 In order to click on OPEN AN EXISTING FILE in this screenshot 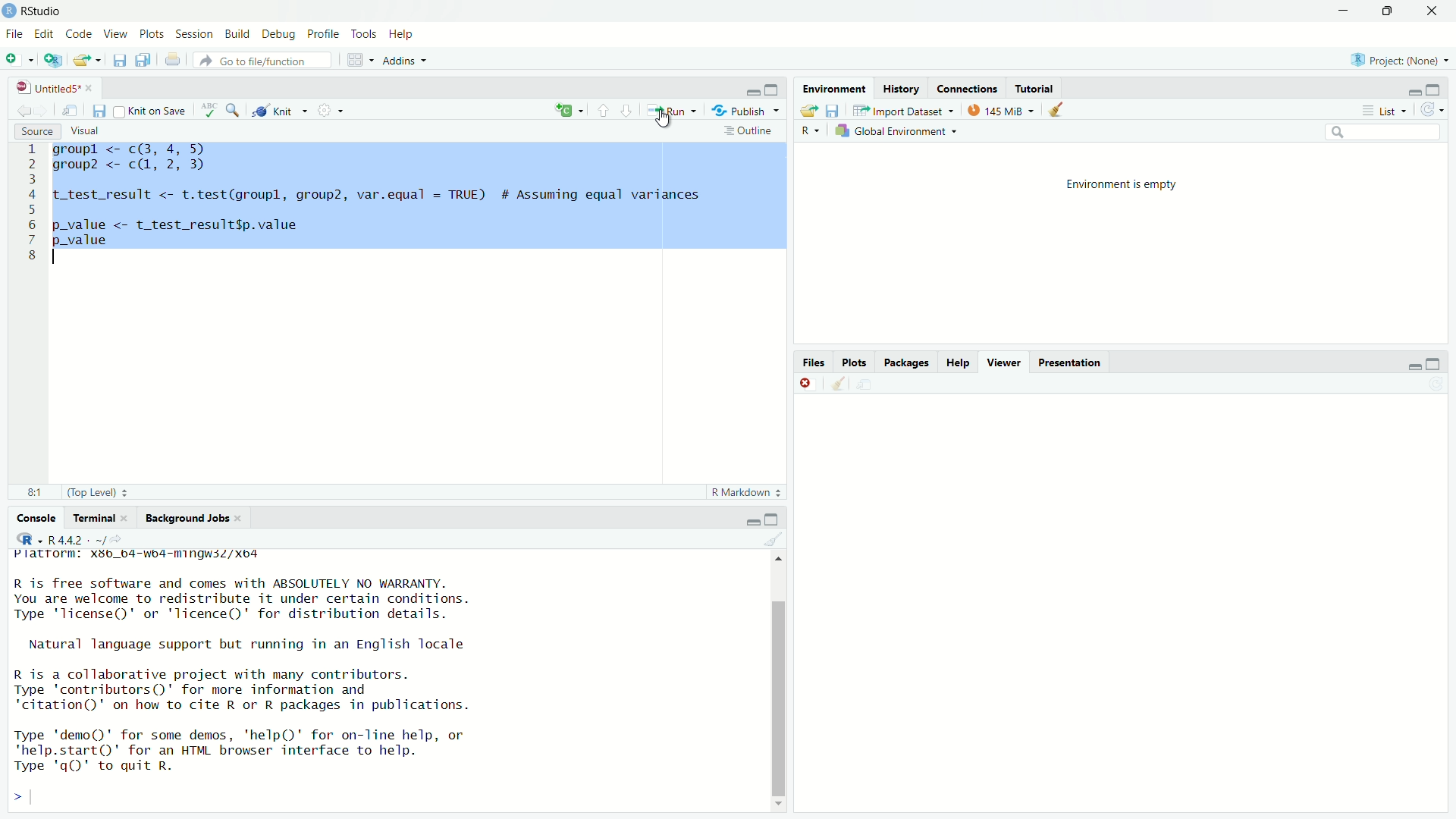, I will do `click(86, 60)`.